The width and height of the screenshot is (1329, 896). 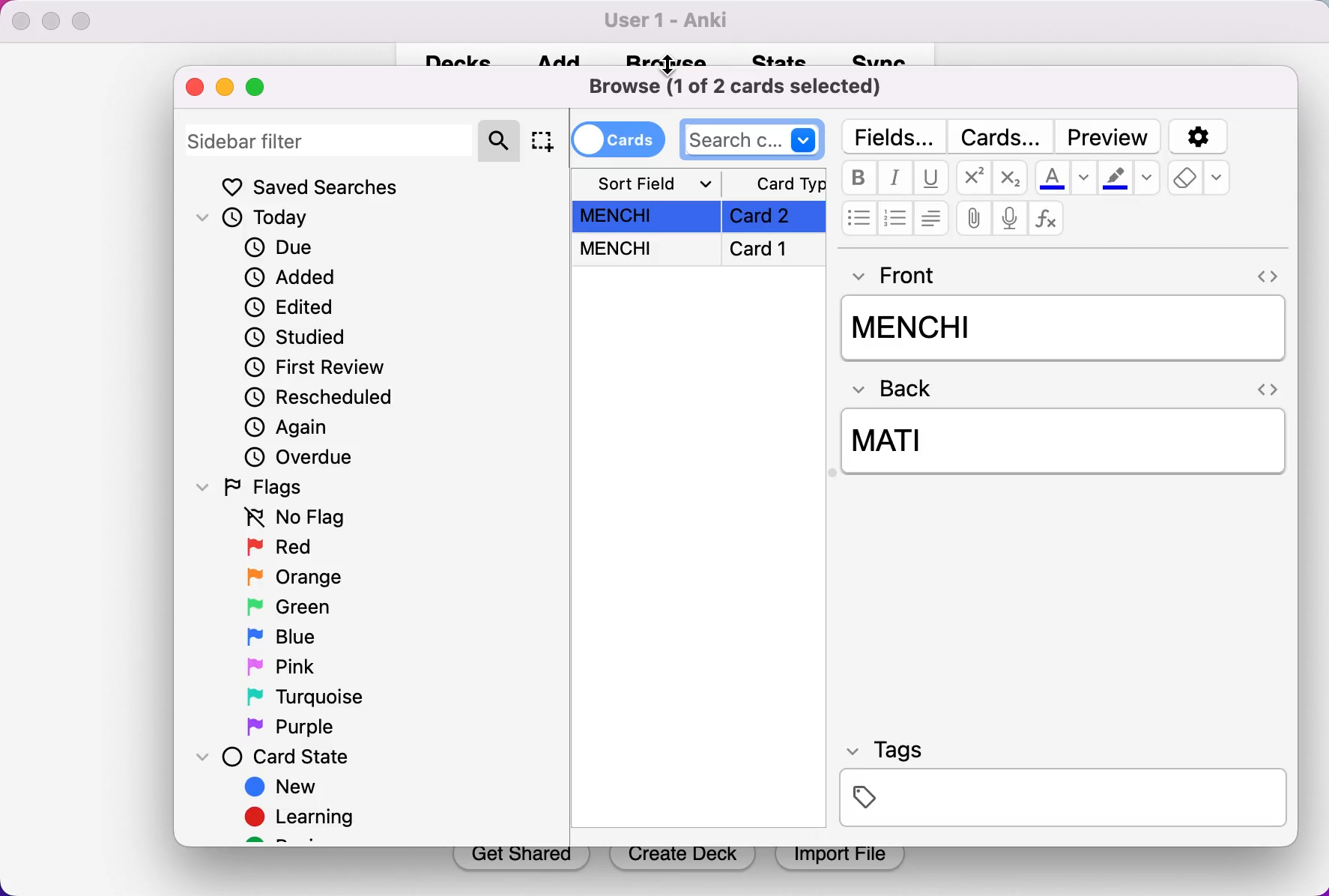 What do you see at coordinates (1066, 444) in the screenshot?
I see `Mati` at bounding box center [1066, 444].